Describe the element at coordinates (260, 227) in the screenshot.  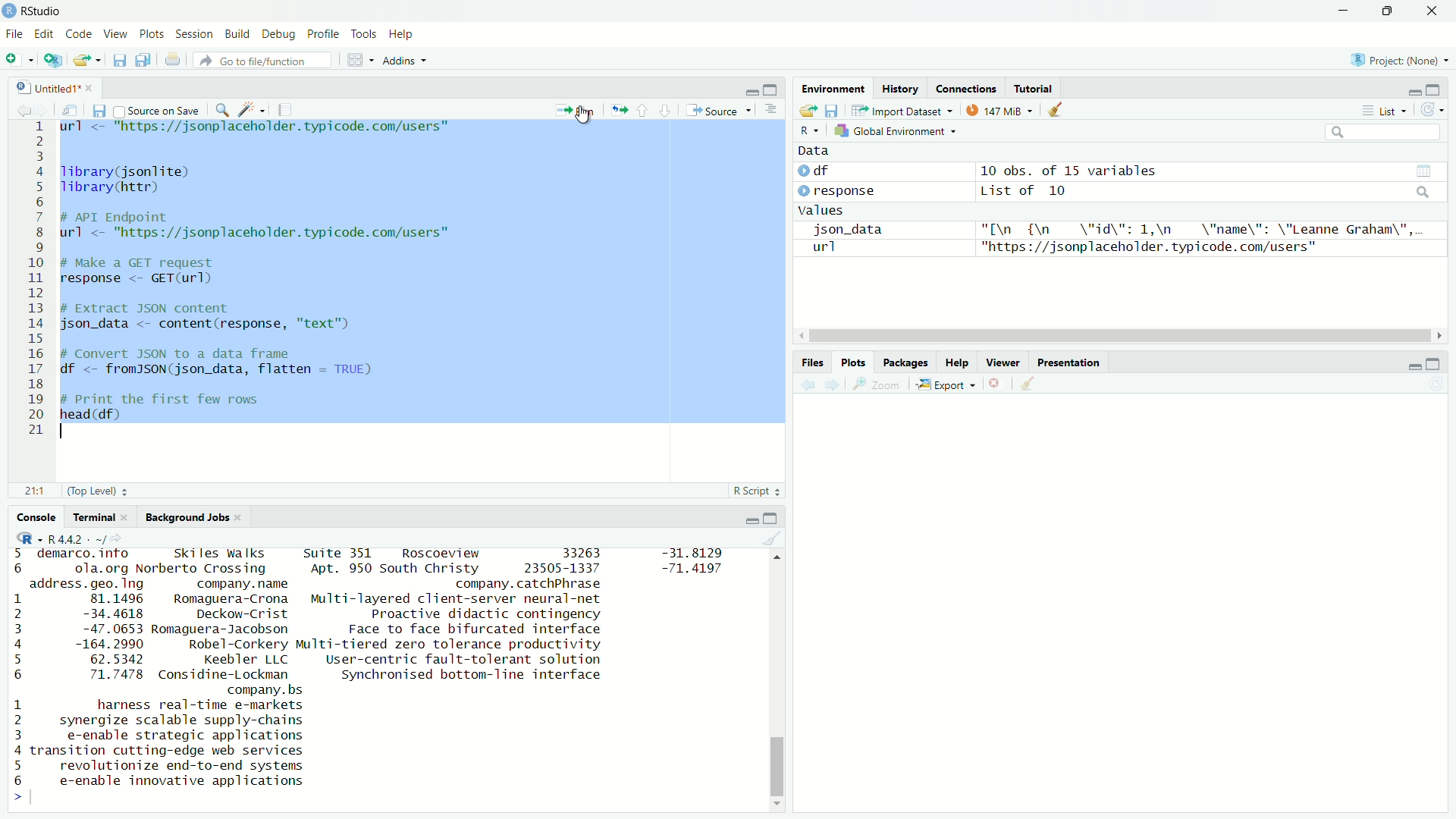
I see `# API Endpoint
url <- "https://jsonplaceholder. typicode.com/users"` at that location.